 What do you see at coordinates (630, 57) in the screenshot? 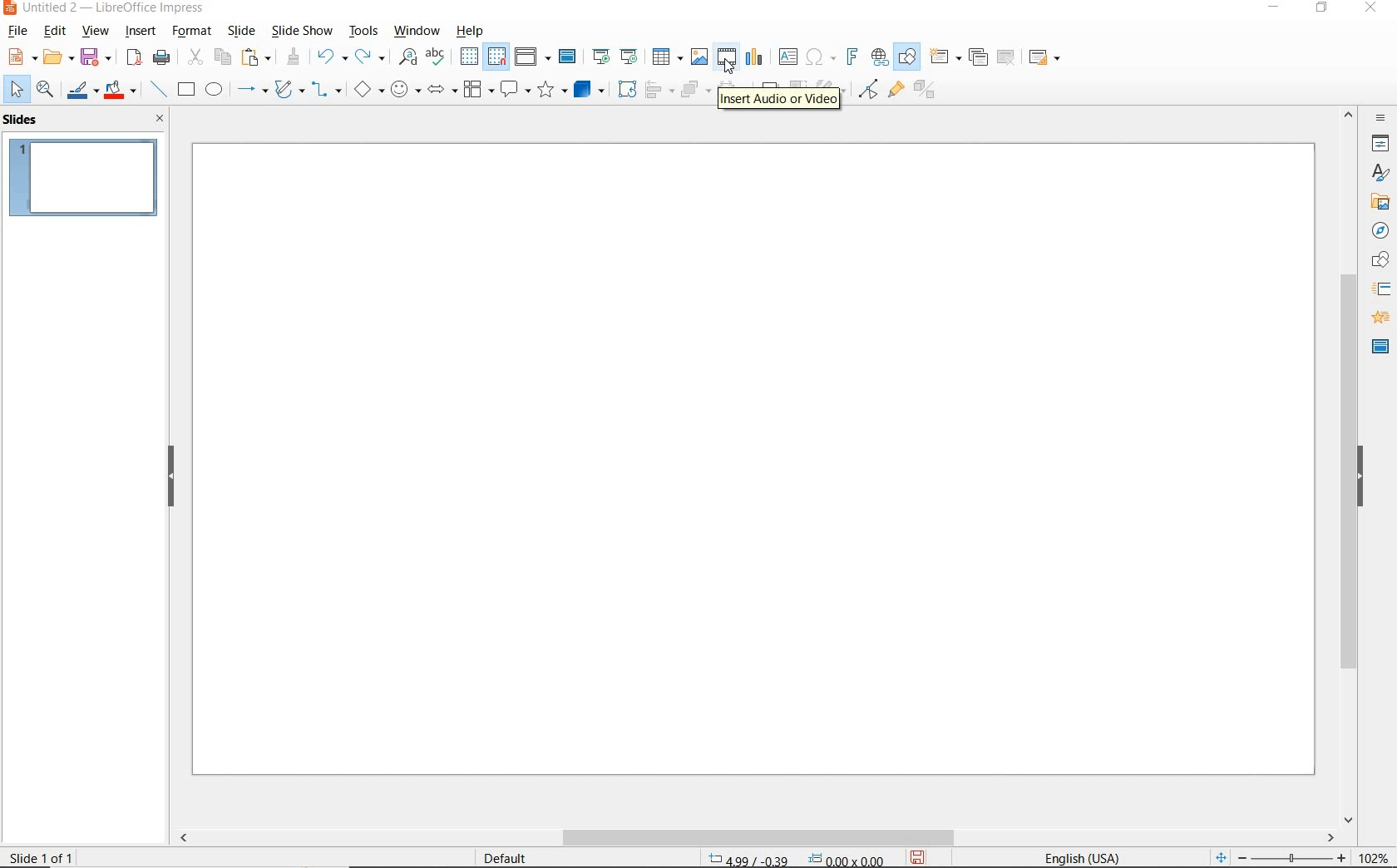
I see `START FROM CURRENT SLIDE` at bounding box center [630, 57].